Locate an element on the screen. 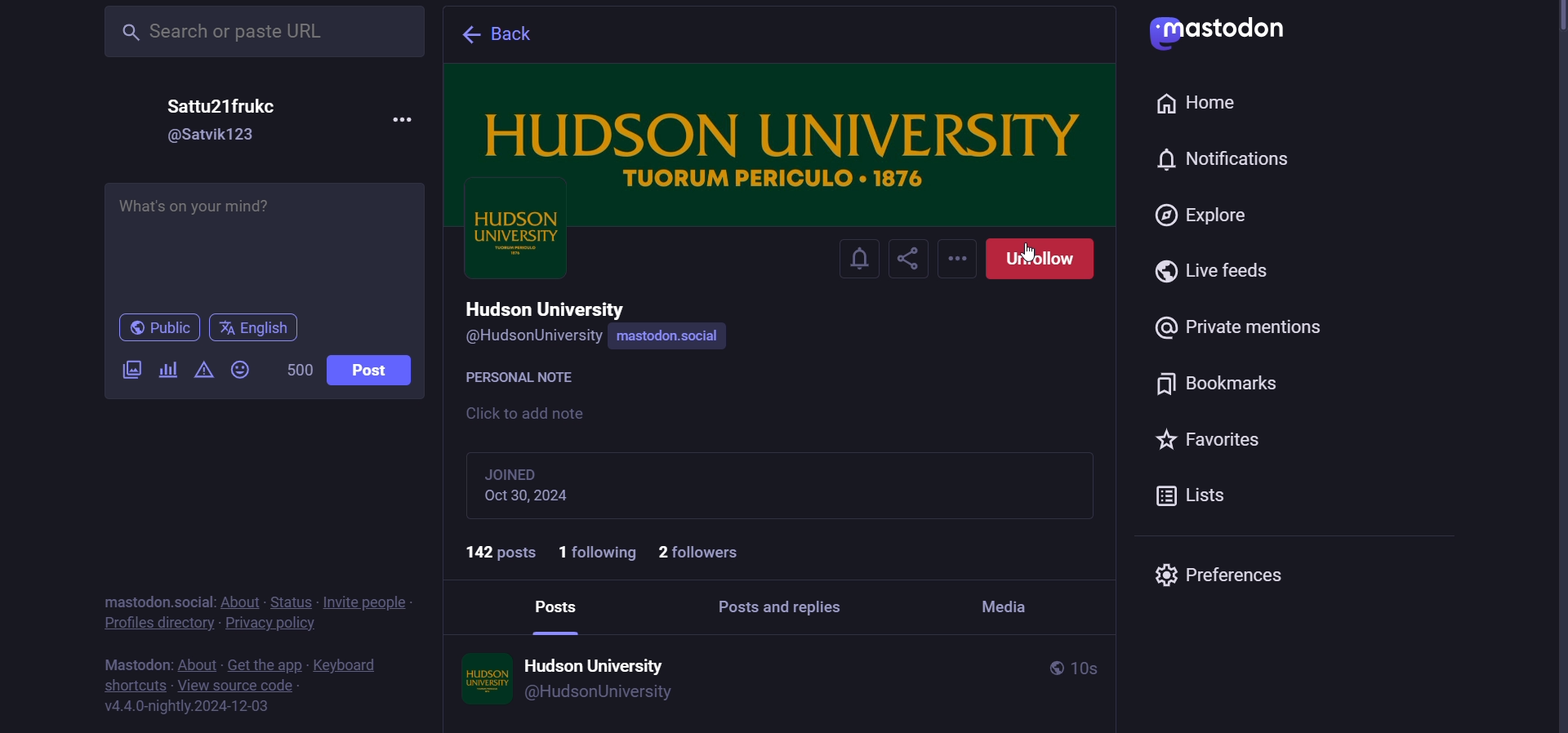  posts and replies is located at coordinates (786, 605).